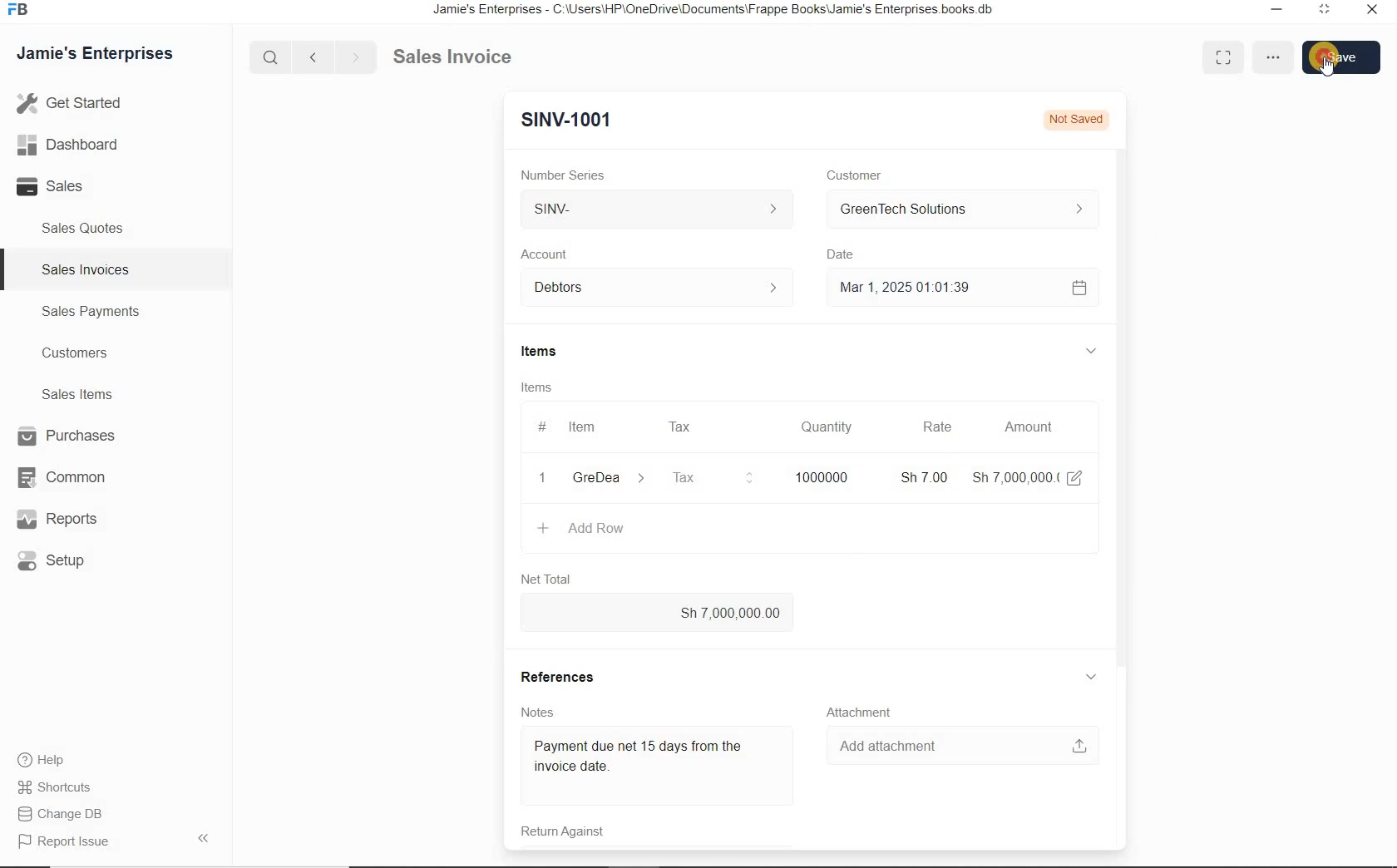 This screenshot has width=1397, height=868. I want to click on Dashboar, so click(68, 144).